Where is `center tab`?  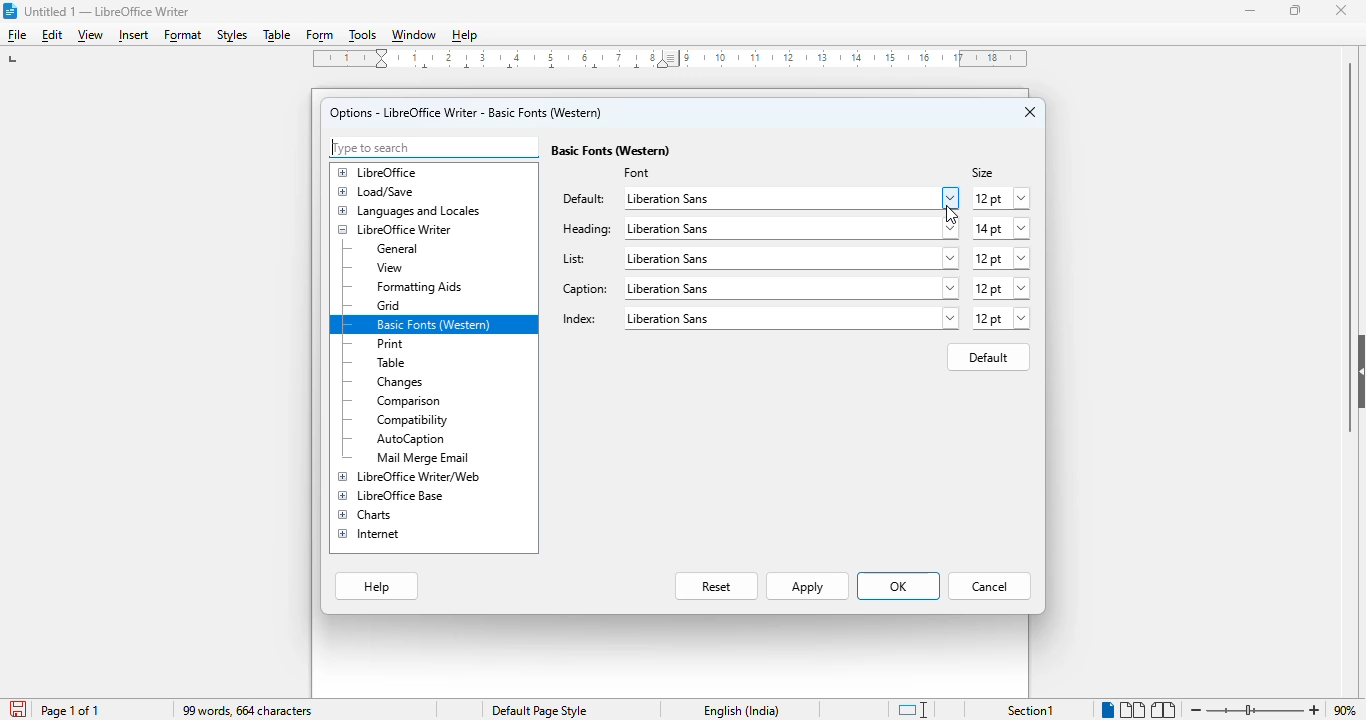 center tab is located at coordinates (424, 70).